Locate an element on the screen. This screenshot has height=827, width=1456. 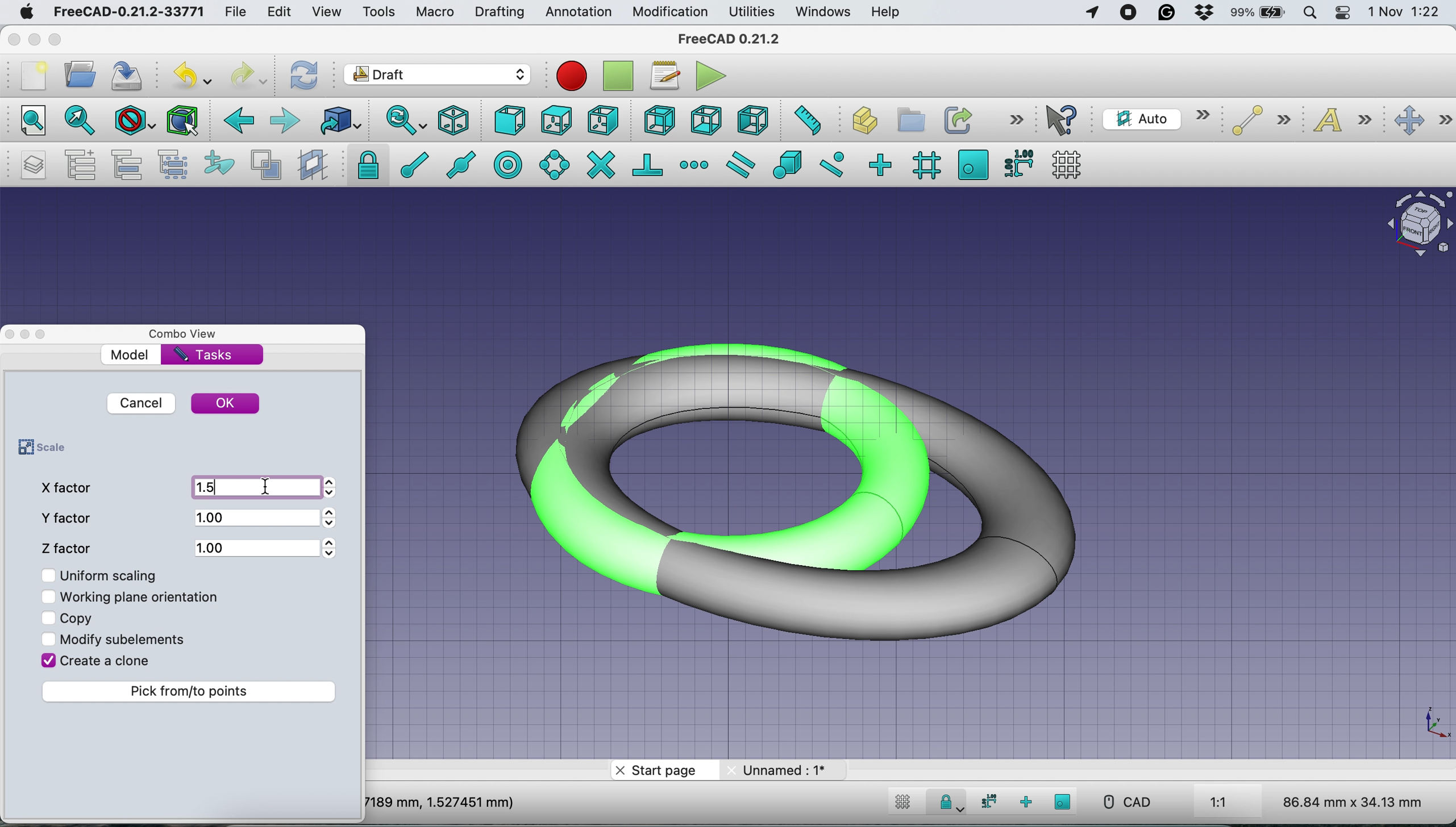
system logo is located at coordinates (24, 14).